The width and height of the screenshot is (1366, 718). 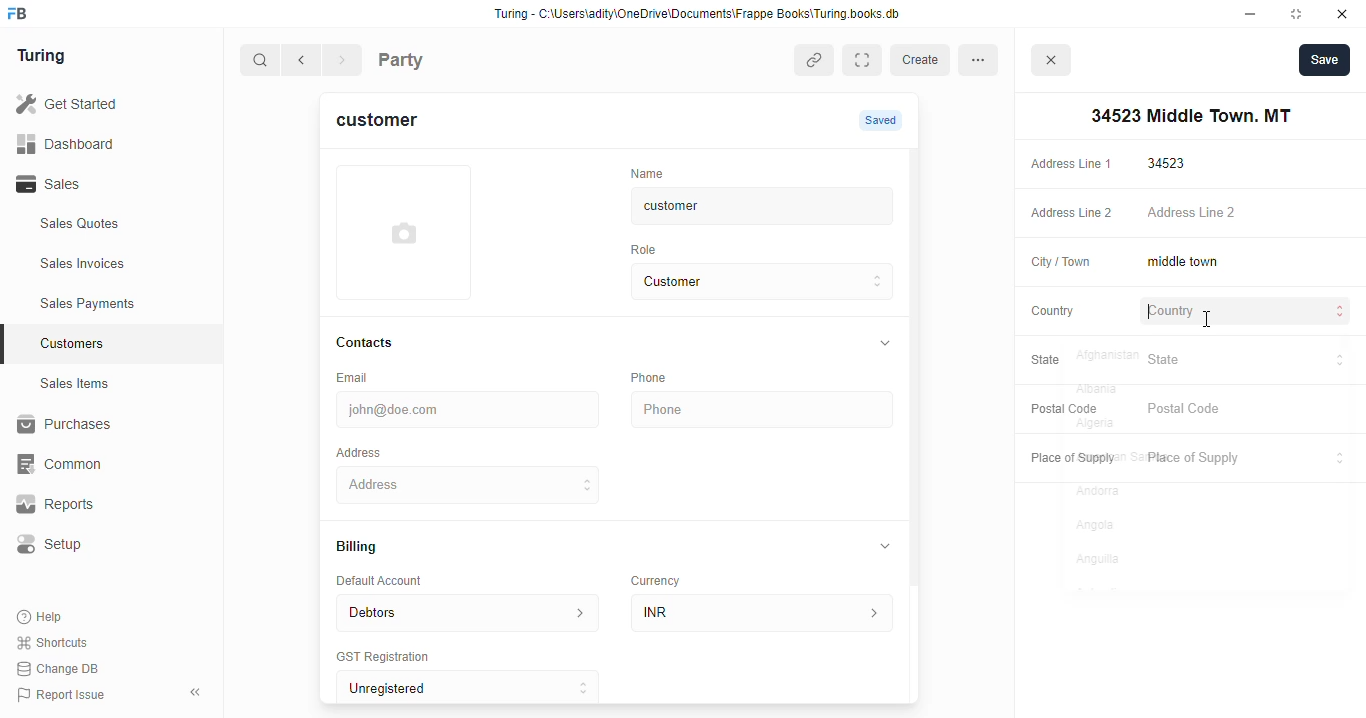 What do you see at coordinates (1187, 116) in the screenshot?
I see `34523 Middle Town. MT` at bounding box center [1187, 116].